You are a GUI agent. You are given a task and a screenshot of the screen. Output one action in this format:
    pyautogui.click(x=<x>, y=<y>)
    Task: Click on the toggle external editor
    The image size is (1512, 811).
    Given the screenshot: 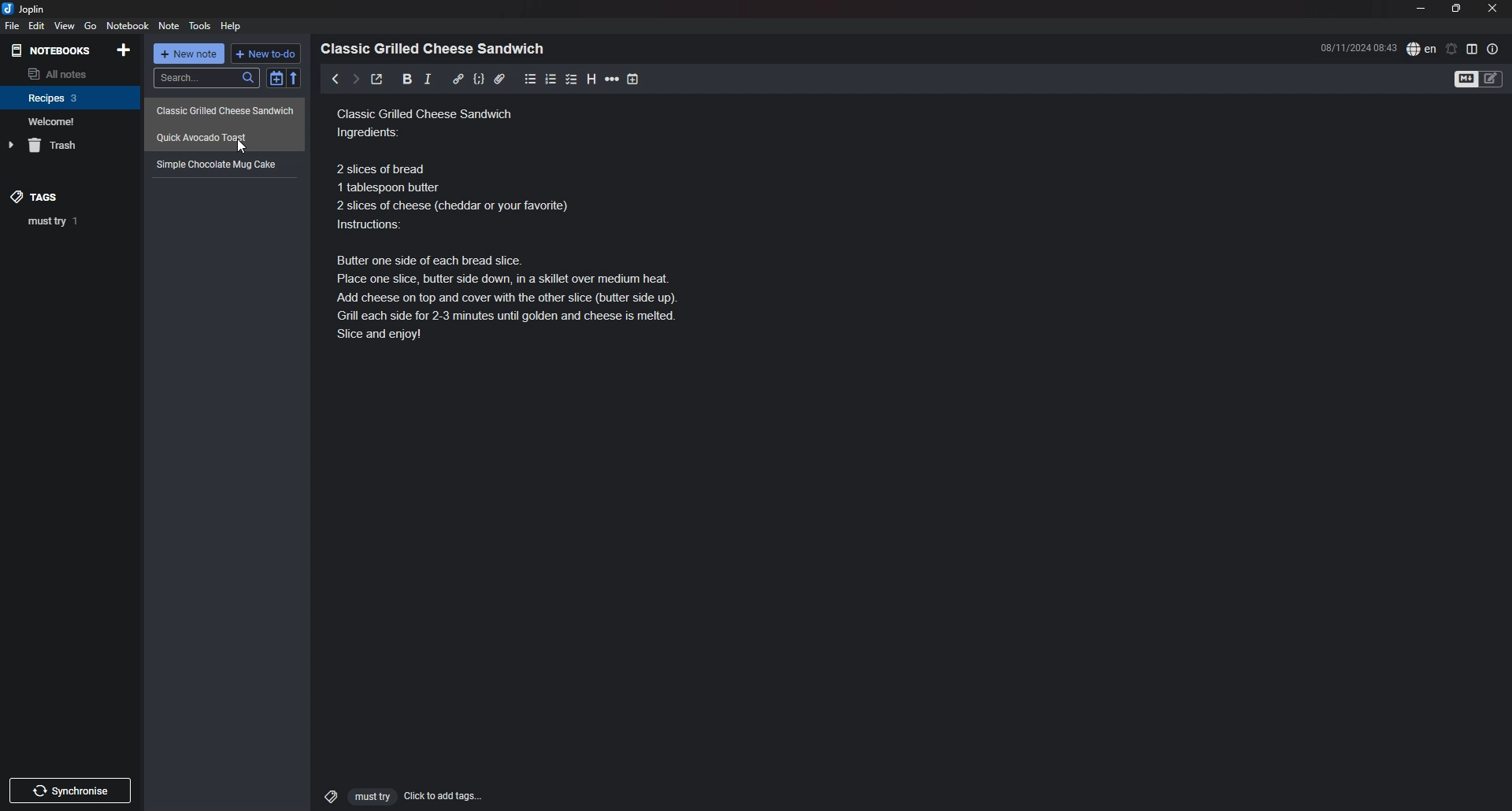 What is the action you would take?
    pyautogui.click(x=376, y=81)
    